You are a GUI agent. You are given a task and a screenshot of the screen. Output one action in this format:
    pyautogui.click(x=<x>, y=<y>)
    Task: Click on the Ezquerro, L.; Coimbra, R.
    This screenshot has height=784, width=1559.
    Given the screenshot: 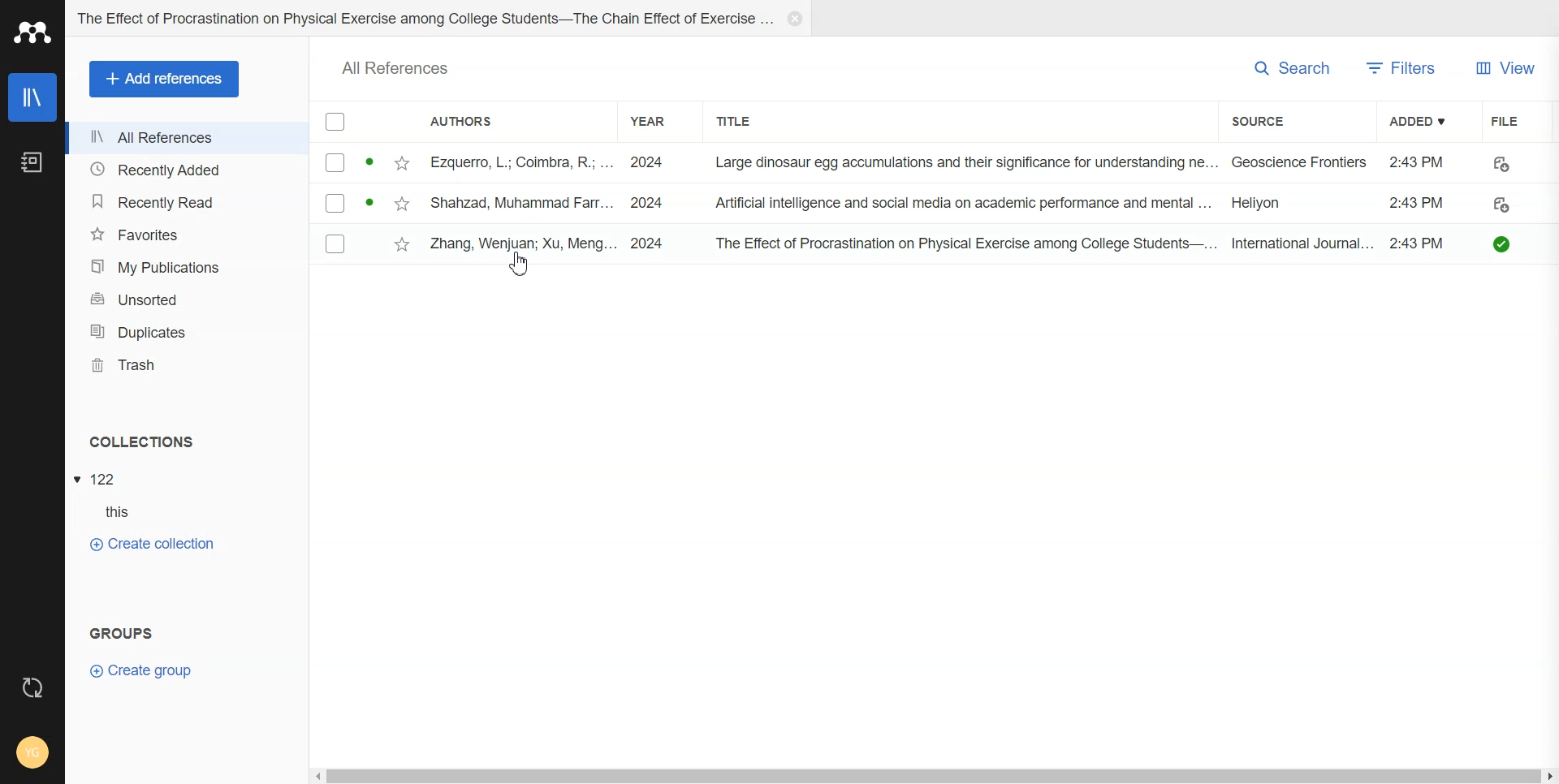 What is the action you would take?
    pyautogui.click(x=510, y=161)
    